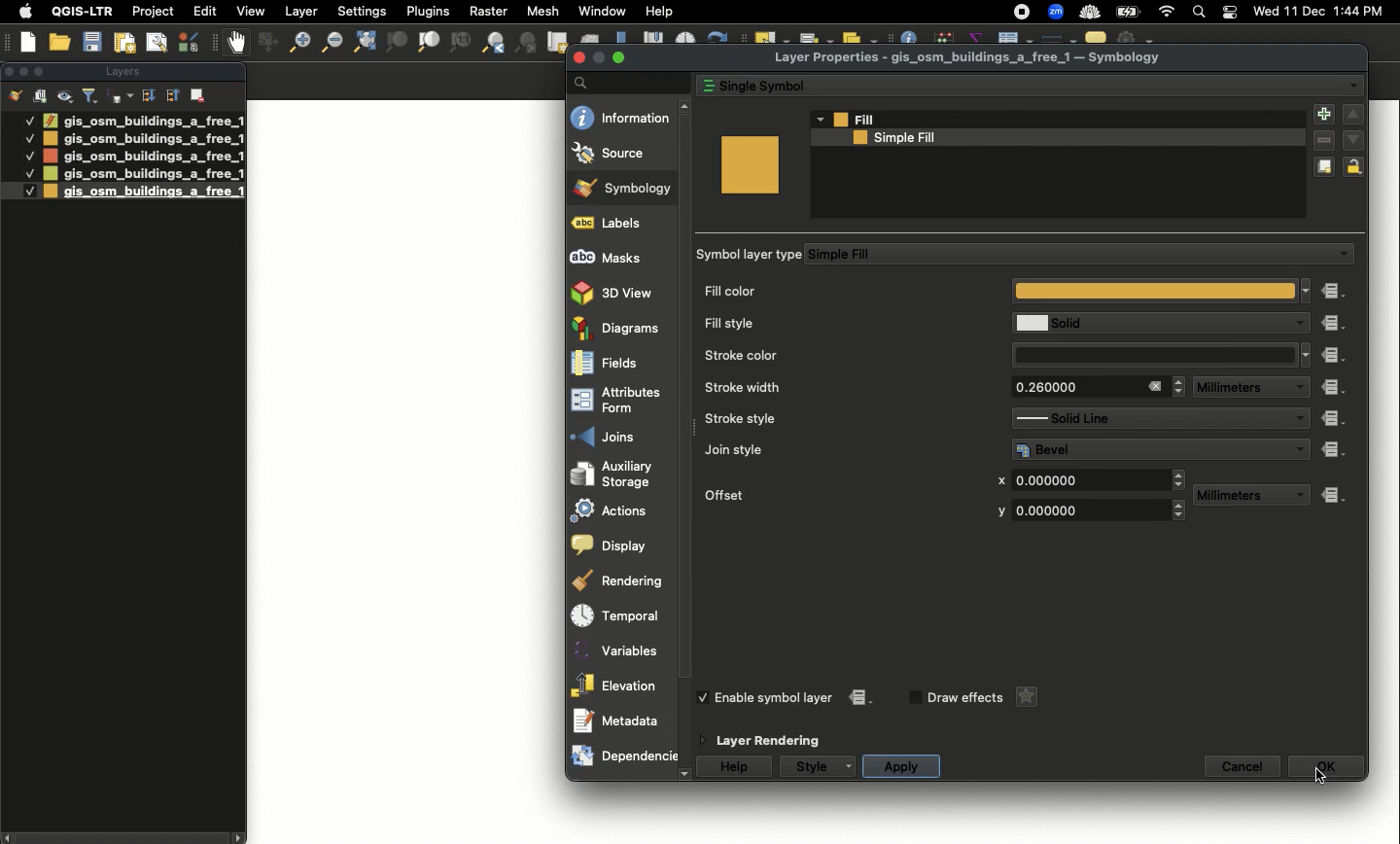 This screenshot has height=844, width=1400. I want to click on Drop down, so click(1180, 479).